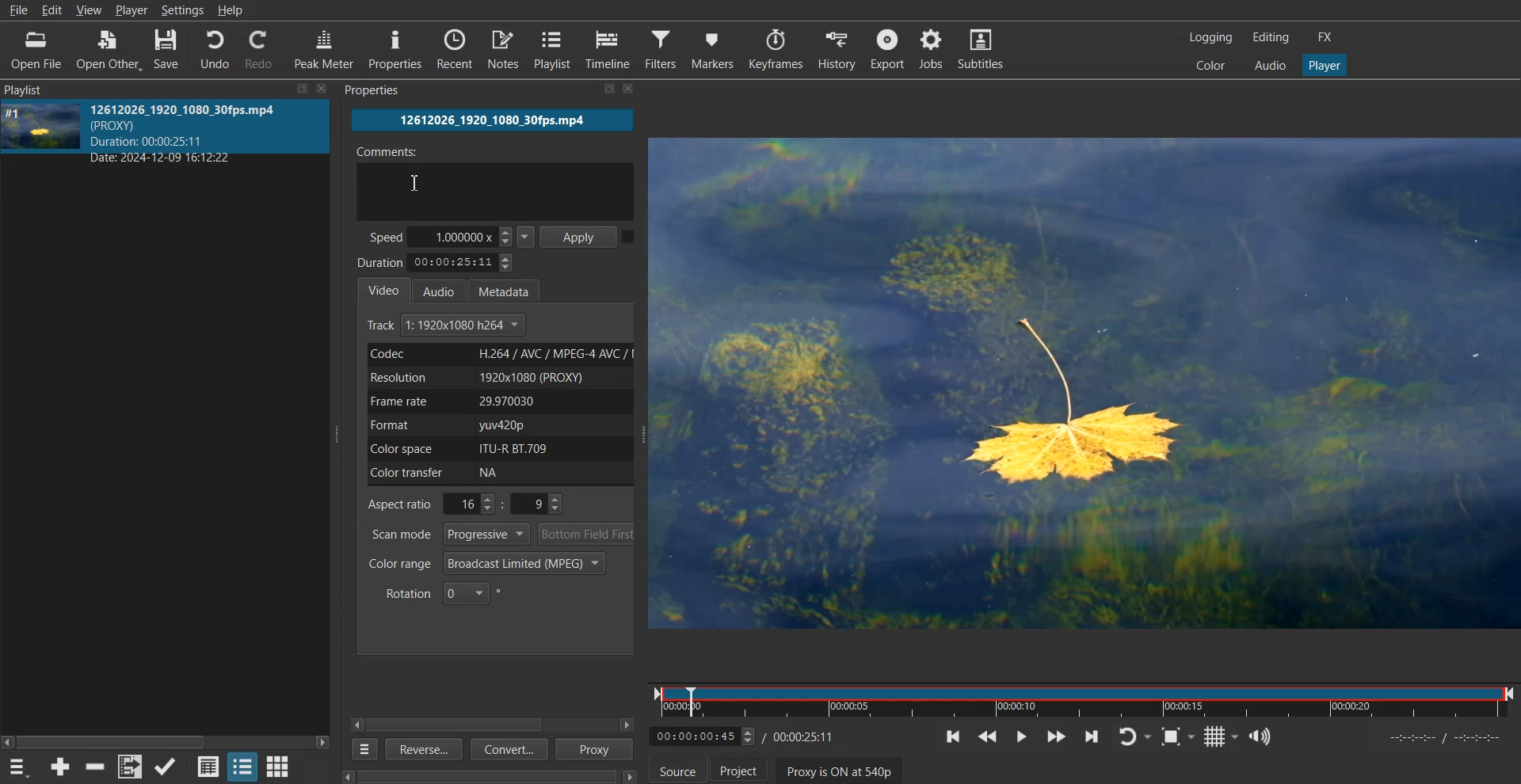  Describe the element at coordinates (452, 236) in the screenshot. I see `Adjust Speed ` at that location.